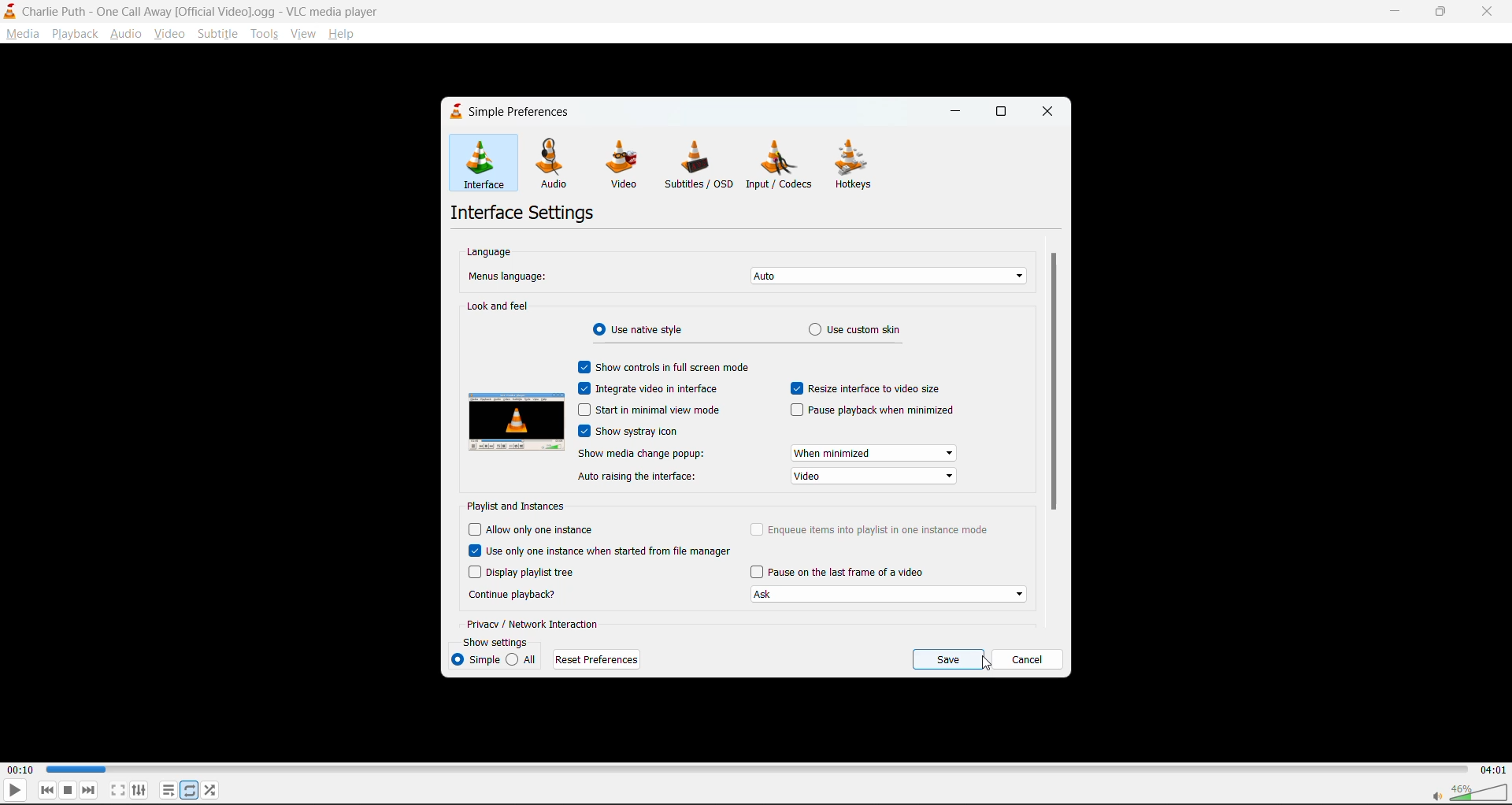  I want to click on interface settings, so click(521, 213).